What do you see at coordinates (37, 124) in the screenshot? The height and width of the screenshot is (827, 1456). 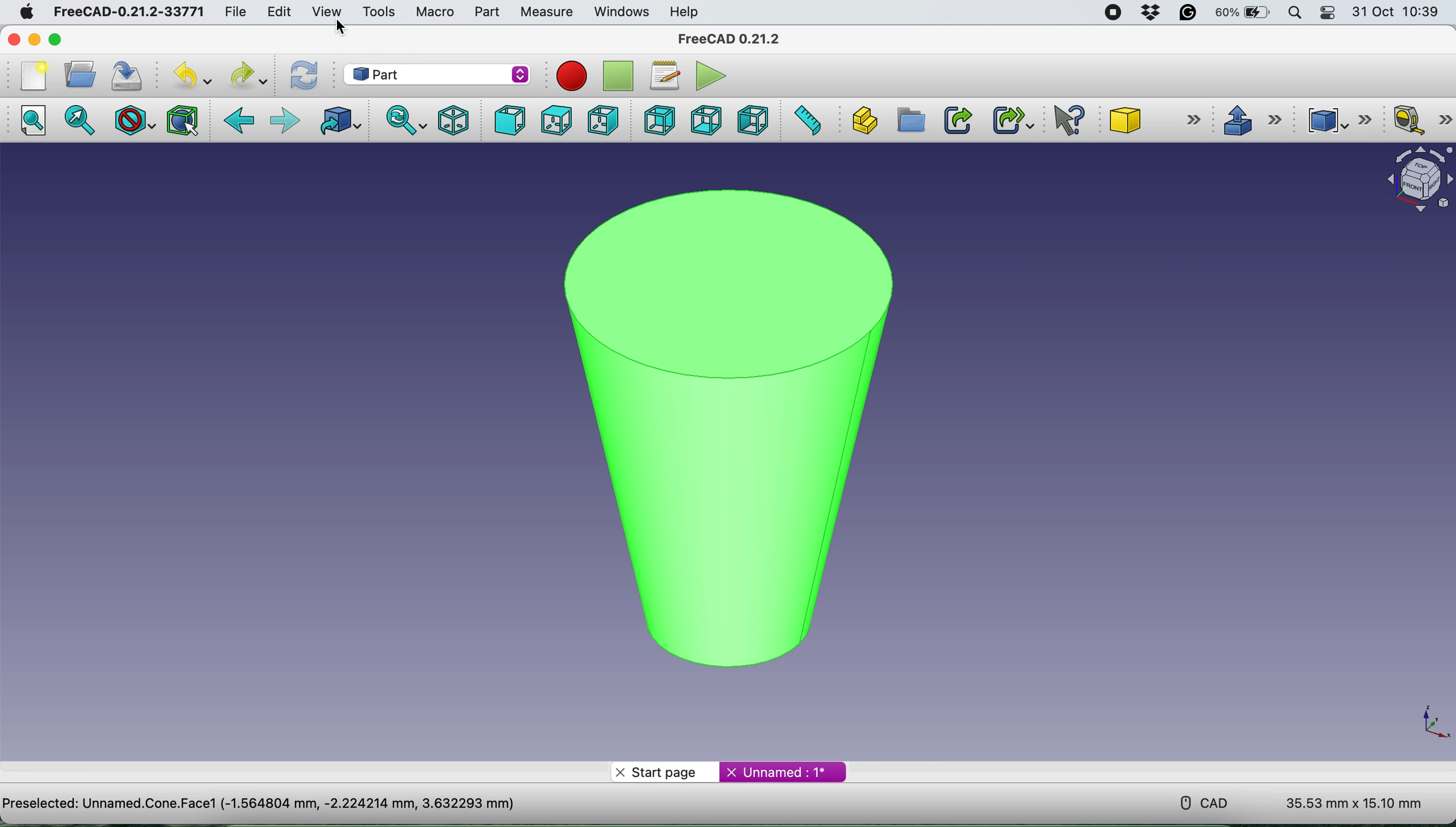 I see `fit all` at bounding box center [37, 124].